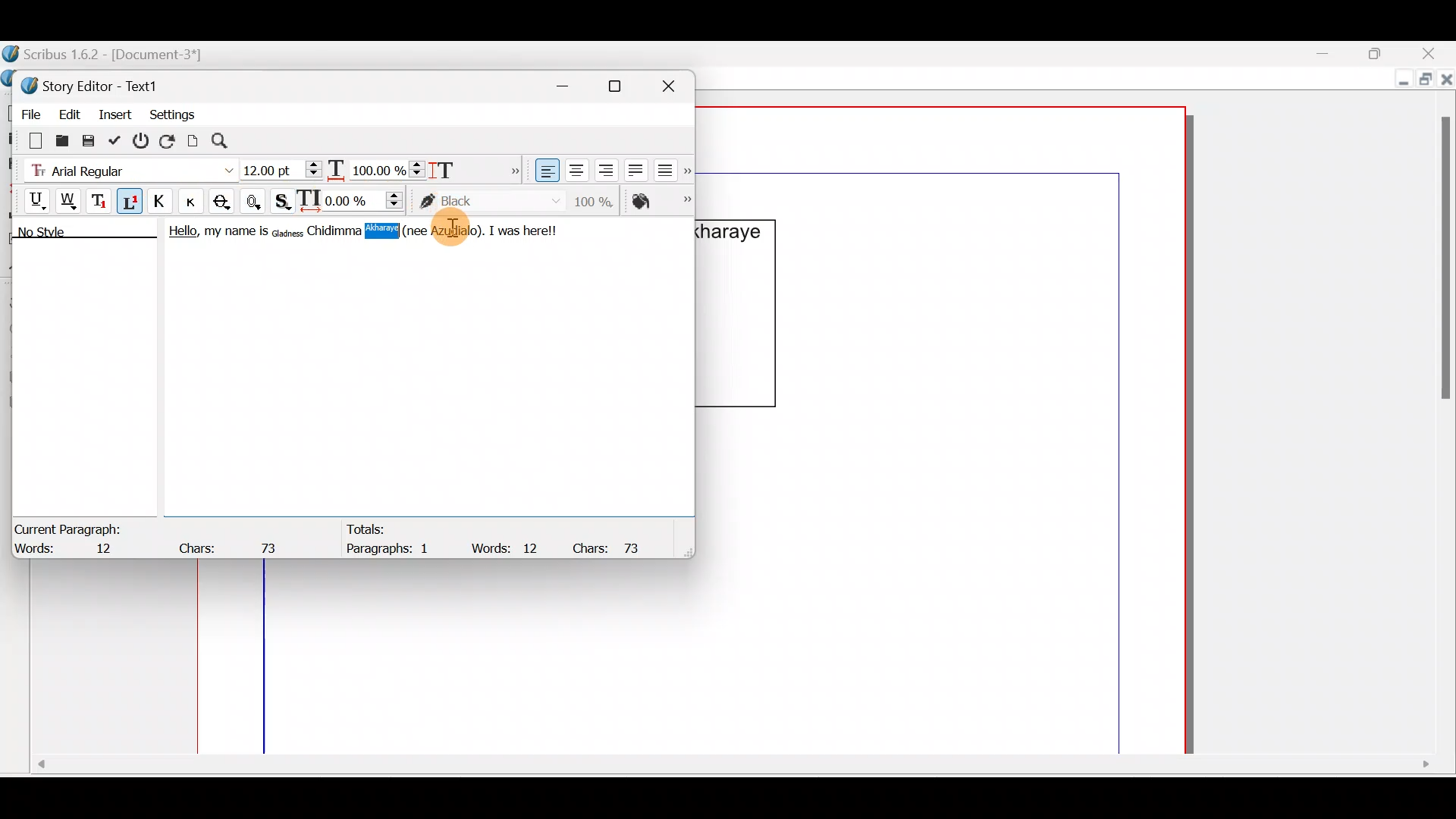  I want to click on Chars: 73, so click(613, 547).